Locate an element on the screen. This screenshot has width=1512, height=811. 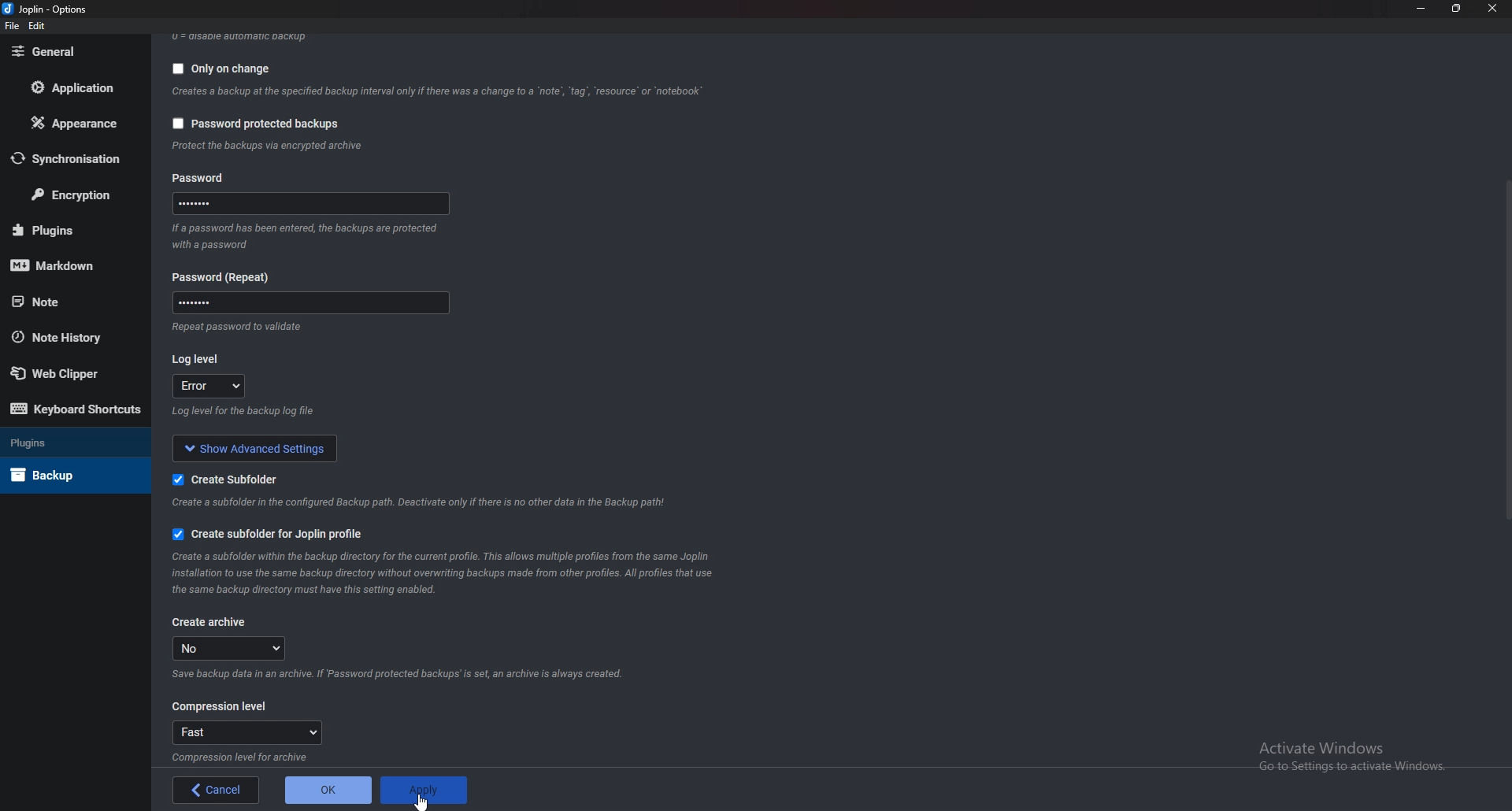
Info is located at coordinates (246, 757).